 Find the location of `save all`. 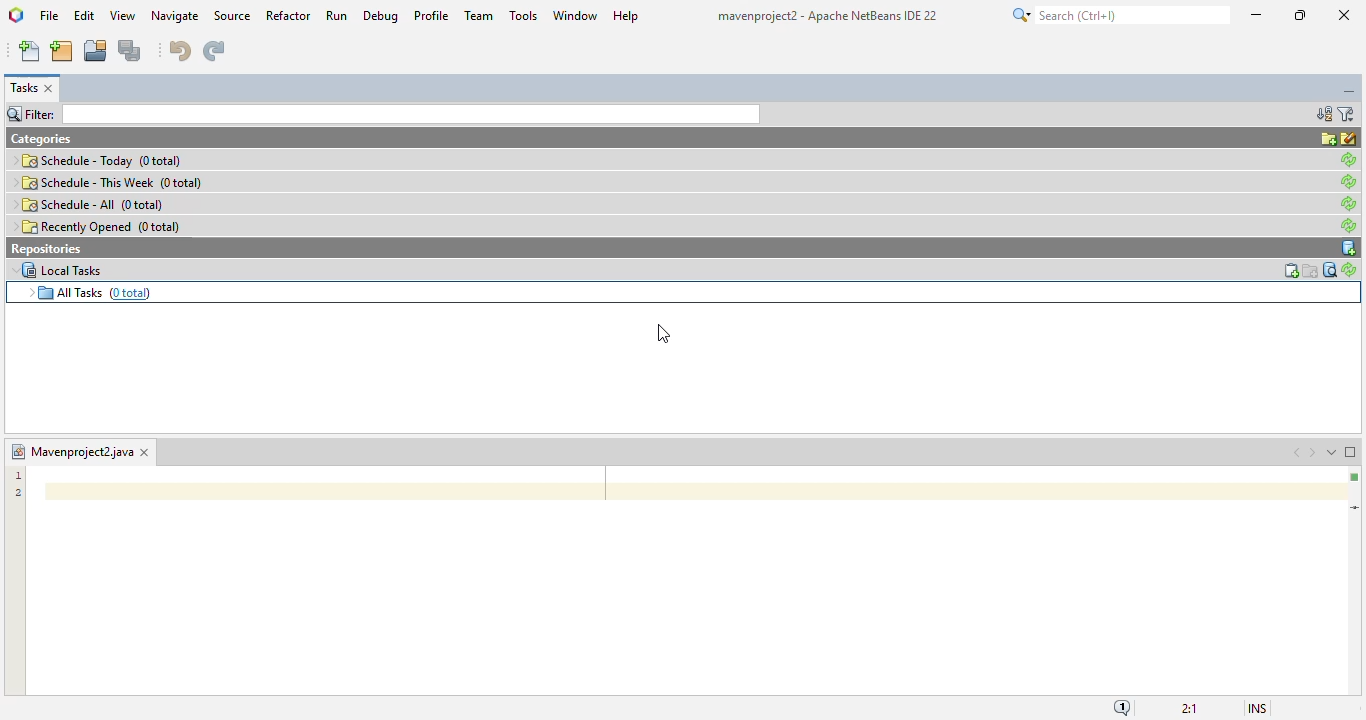

save all is located at coordinates (130, 51).